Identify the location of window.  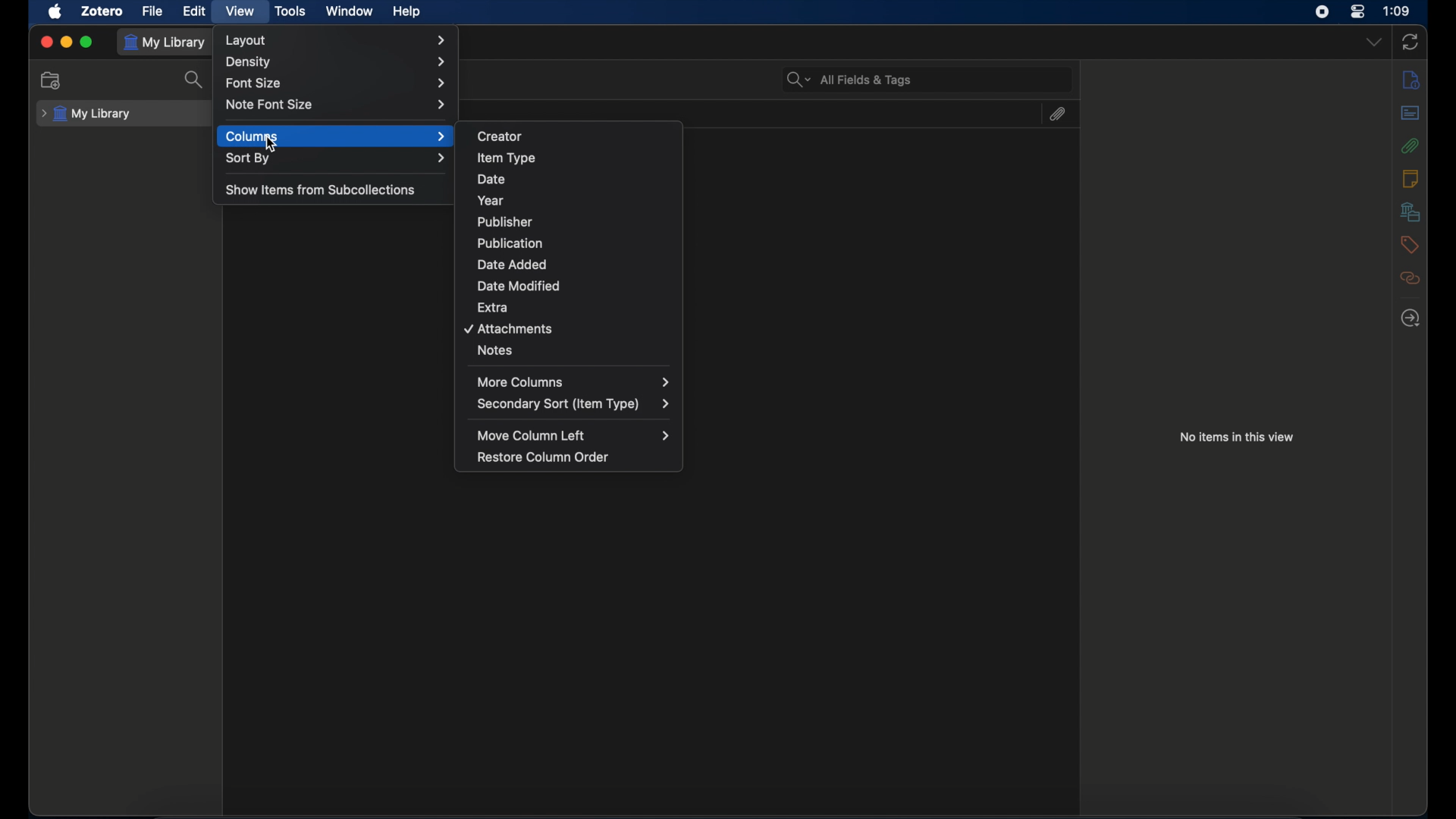
(349, 11).